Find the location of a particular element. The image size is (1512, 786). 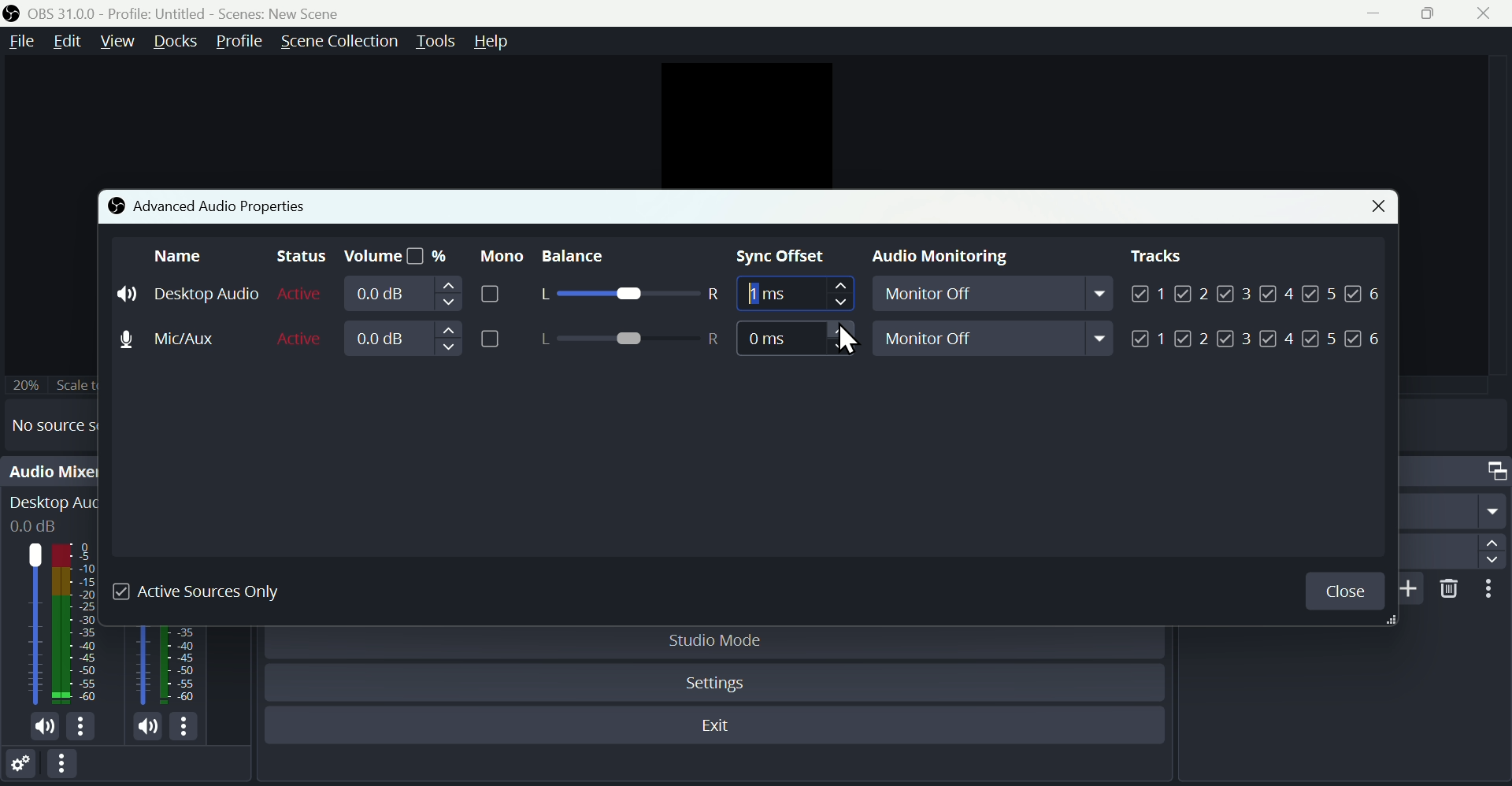

More options is located at coordinates (1494, 590).